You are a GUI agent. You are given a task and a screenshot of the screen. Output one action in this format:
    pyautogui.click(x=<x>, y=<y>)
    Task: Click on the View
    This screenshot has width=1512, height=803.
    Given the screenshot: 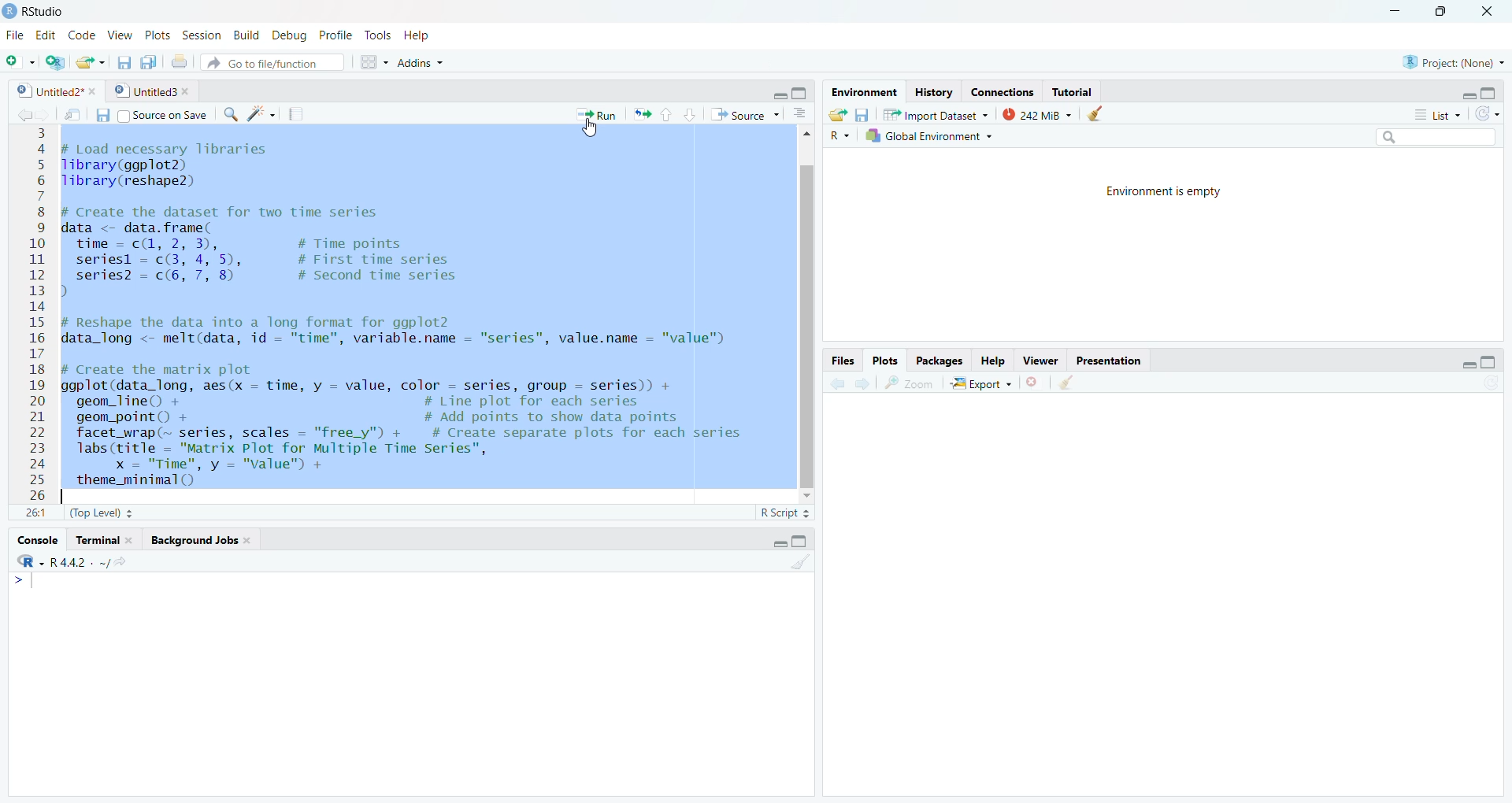 What is the action you would take?
    pyautogui.click(x=120, y=35)
    